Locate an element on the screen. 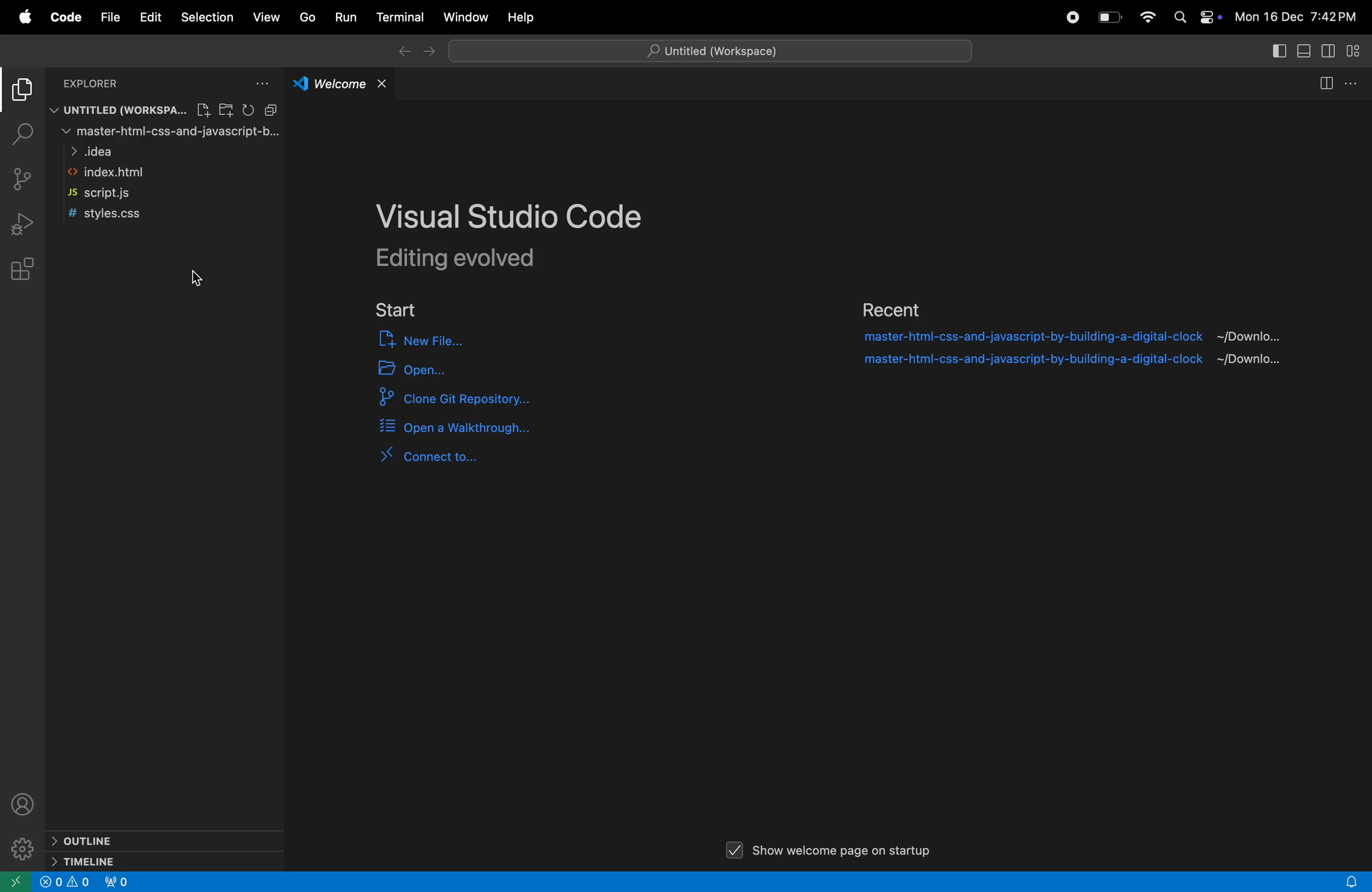 This screenshot has height=892, width=1372. add file is located at coordinates (203, 110).